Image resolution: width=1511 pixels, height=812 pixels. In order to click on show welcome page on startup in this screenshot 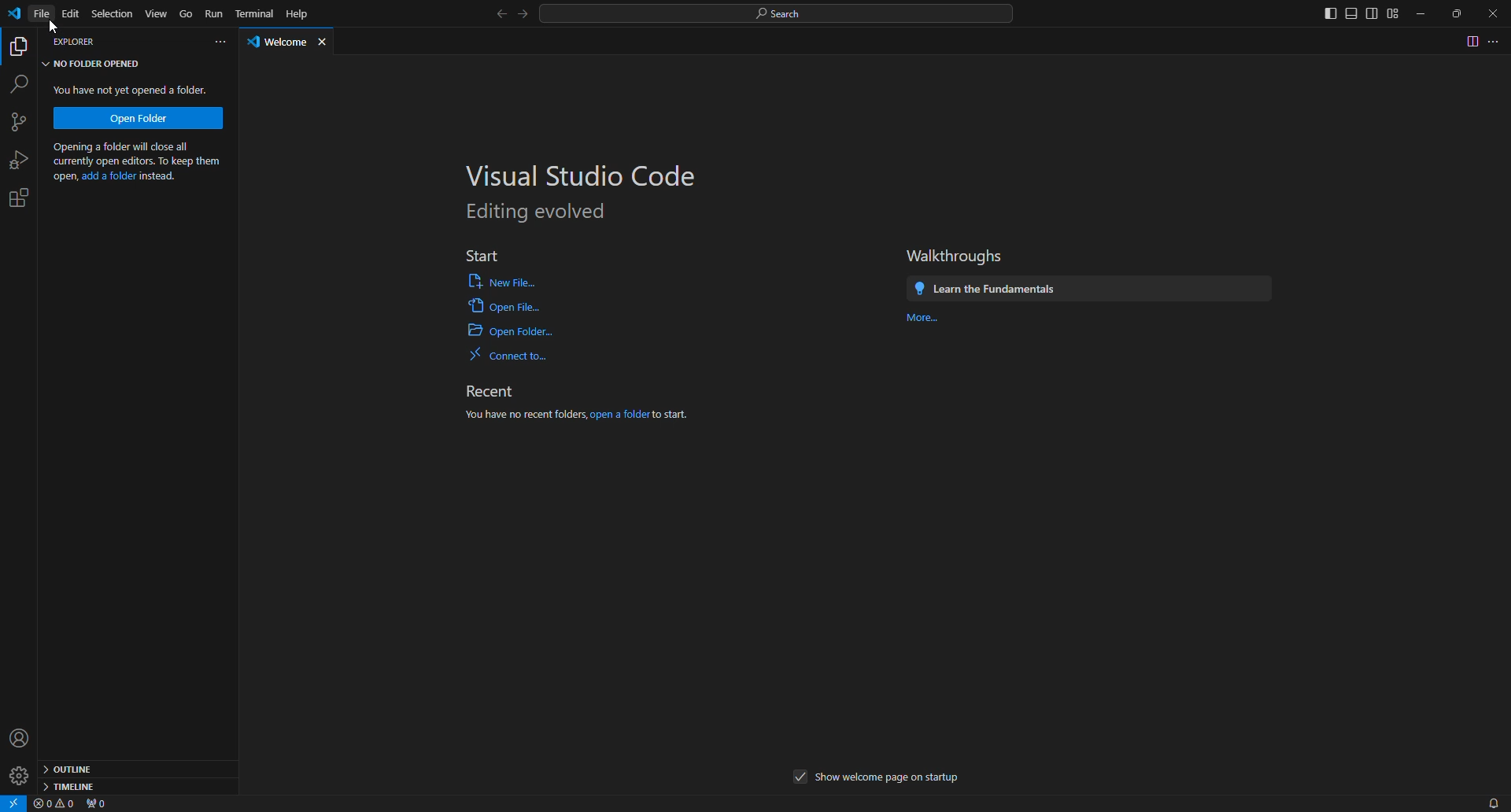, I will do `click(889, 779)`.